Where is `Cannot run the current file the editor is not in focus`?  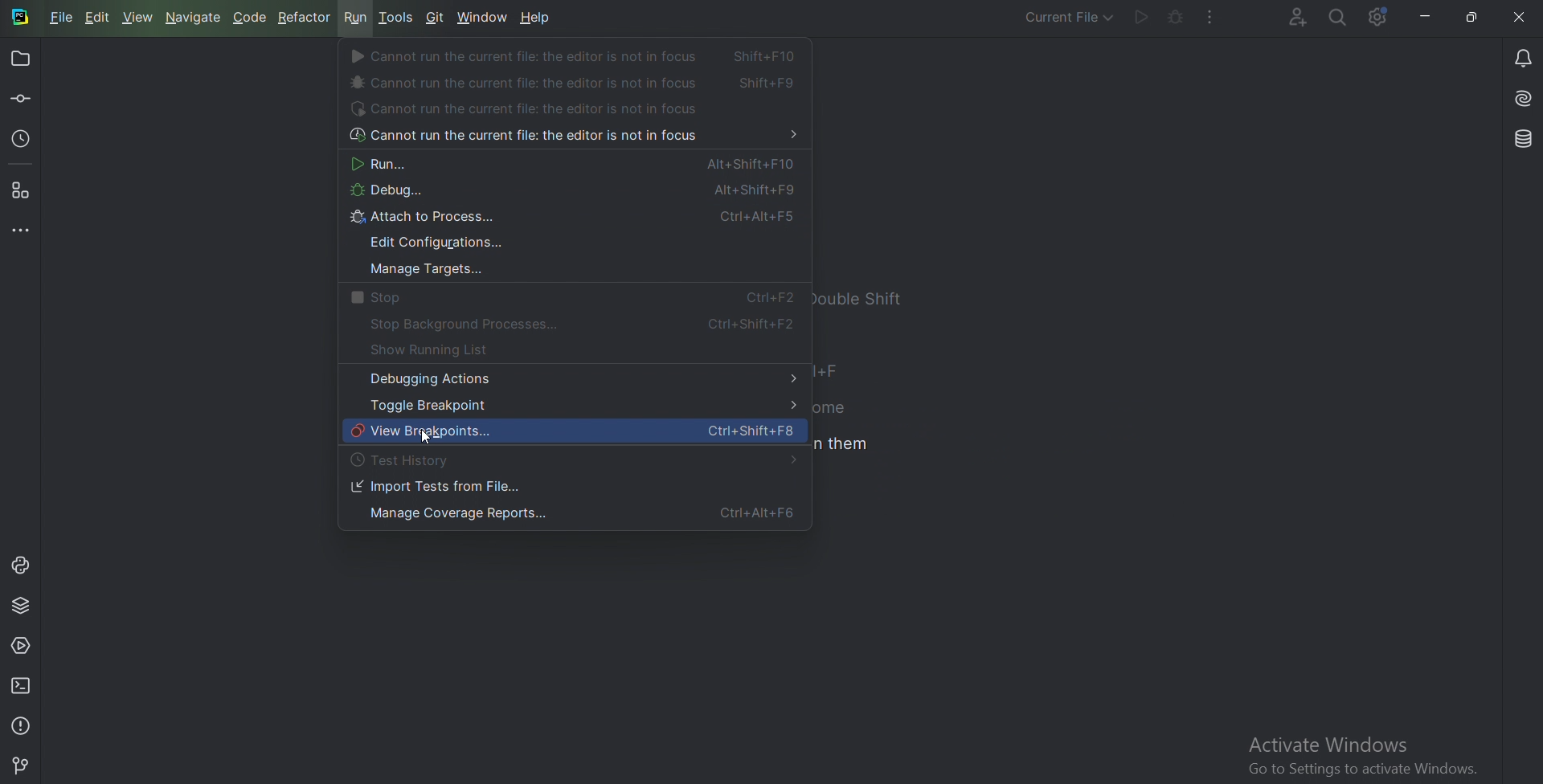
Cannot run the current file the editor is not in focus is located at coordinates (575, 82).